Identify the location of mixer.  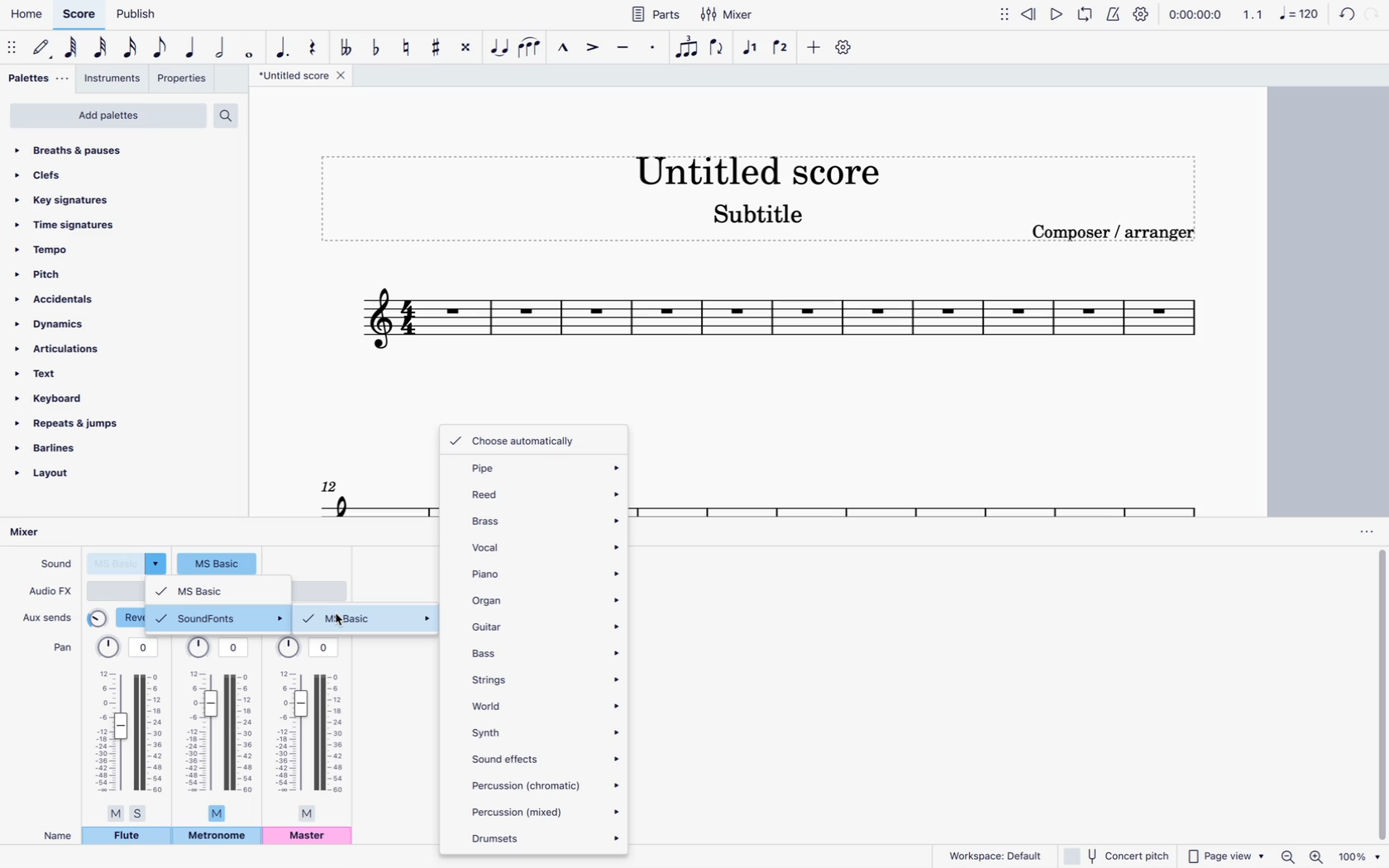
(731, 14).